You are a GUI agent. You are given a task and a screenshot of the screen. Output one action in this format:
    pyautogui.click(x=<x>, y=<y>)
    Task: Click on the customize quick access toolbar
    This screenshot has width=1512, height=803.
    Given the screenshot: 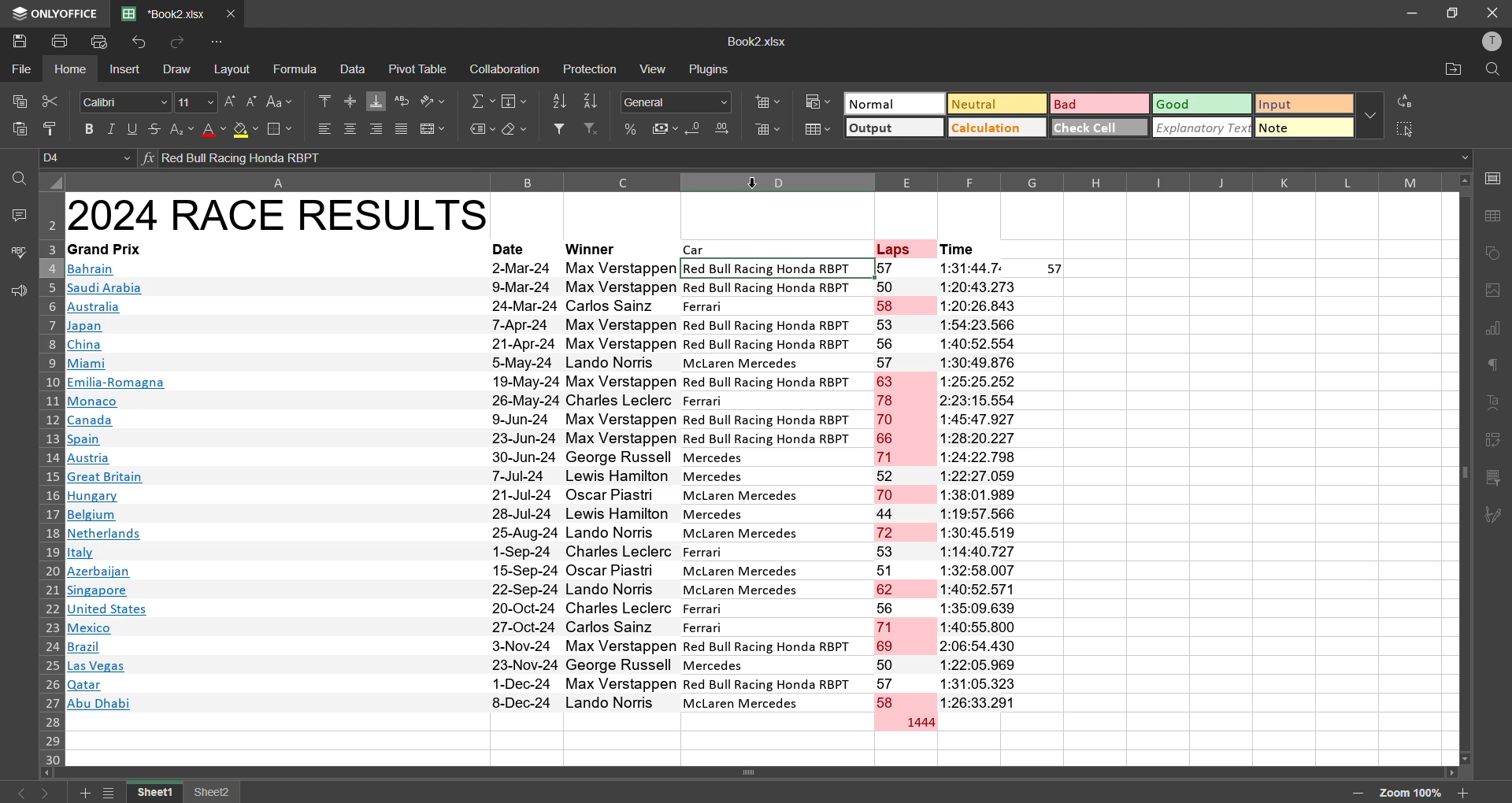 What is the action you would take?
    pyautogui.click(x=220, y=42)
    